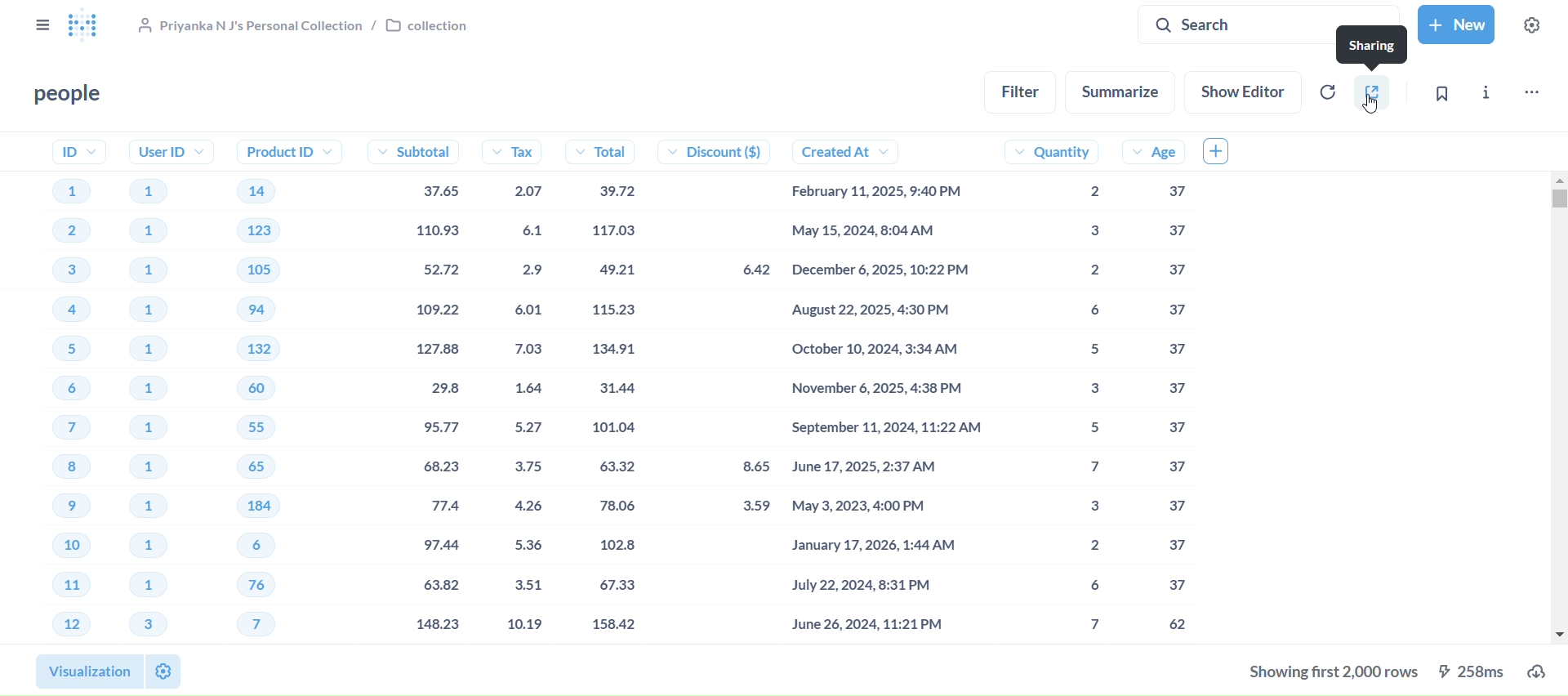 The image size is (1568, 696). Describe the element at coordinates (1560, 406) in the screenshot. I see `vertical scroll bar` at that location.